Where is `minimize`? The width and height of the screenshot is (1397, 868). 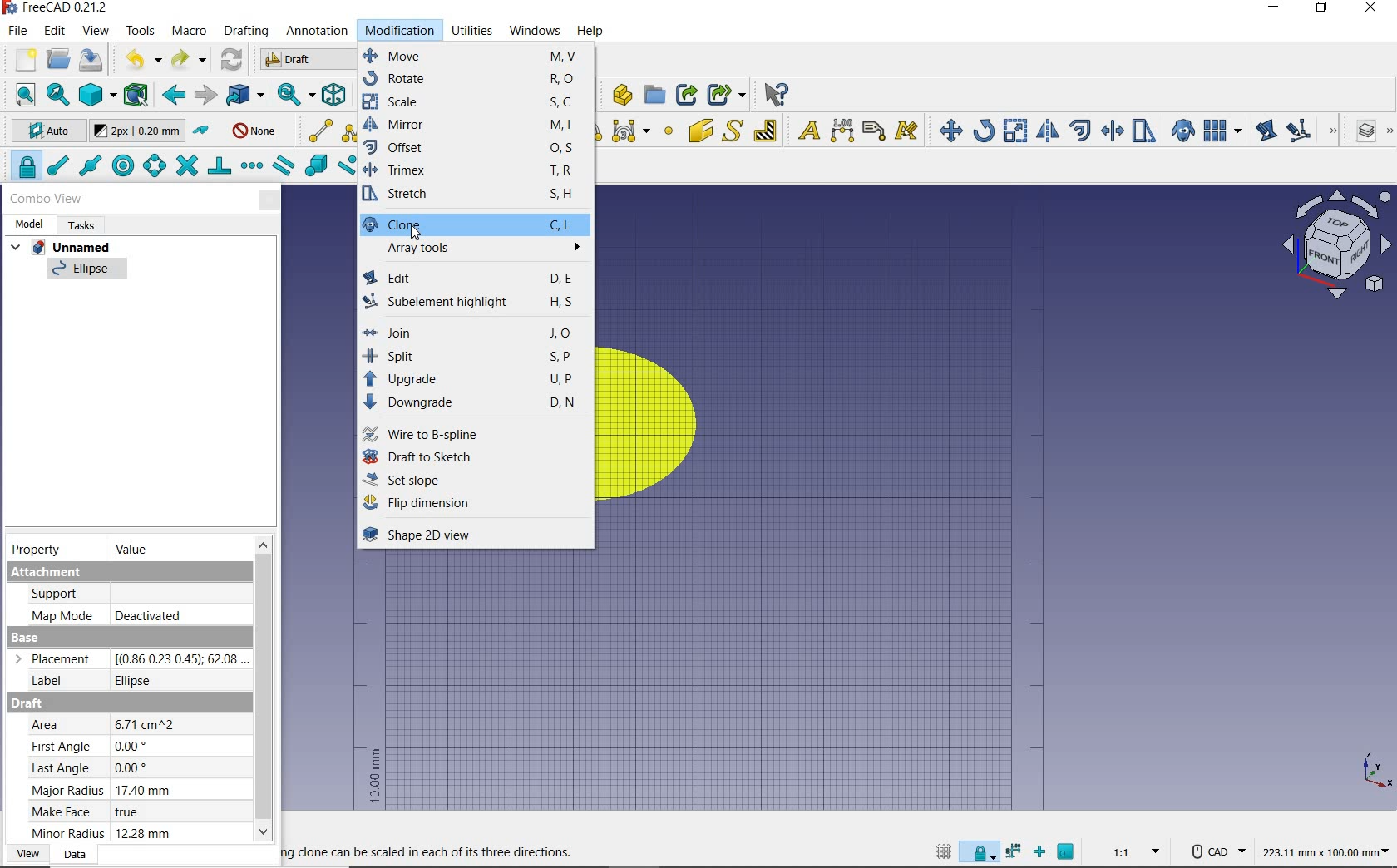
minimize is located at coordinates (1275, 9).